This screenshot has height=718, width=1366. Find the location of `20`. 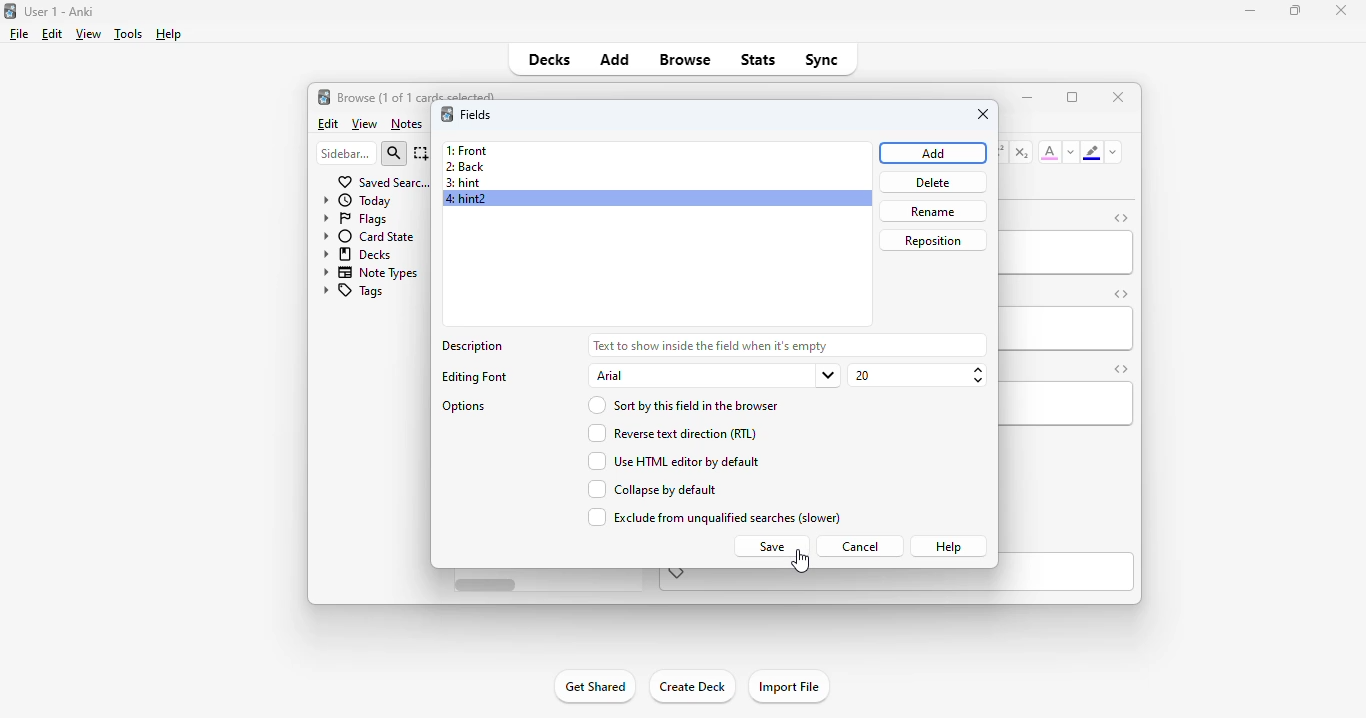

20 is located at coordinates (919, 376).